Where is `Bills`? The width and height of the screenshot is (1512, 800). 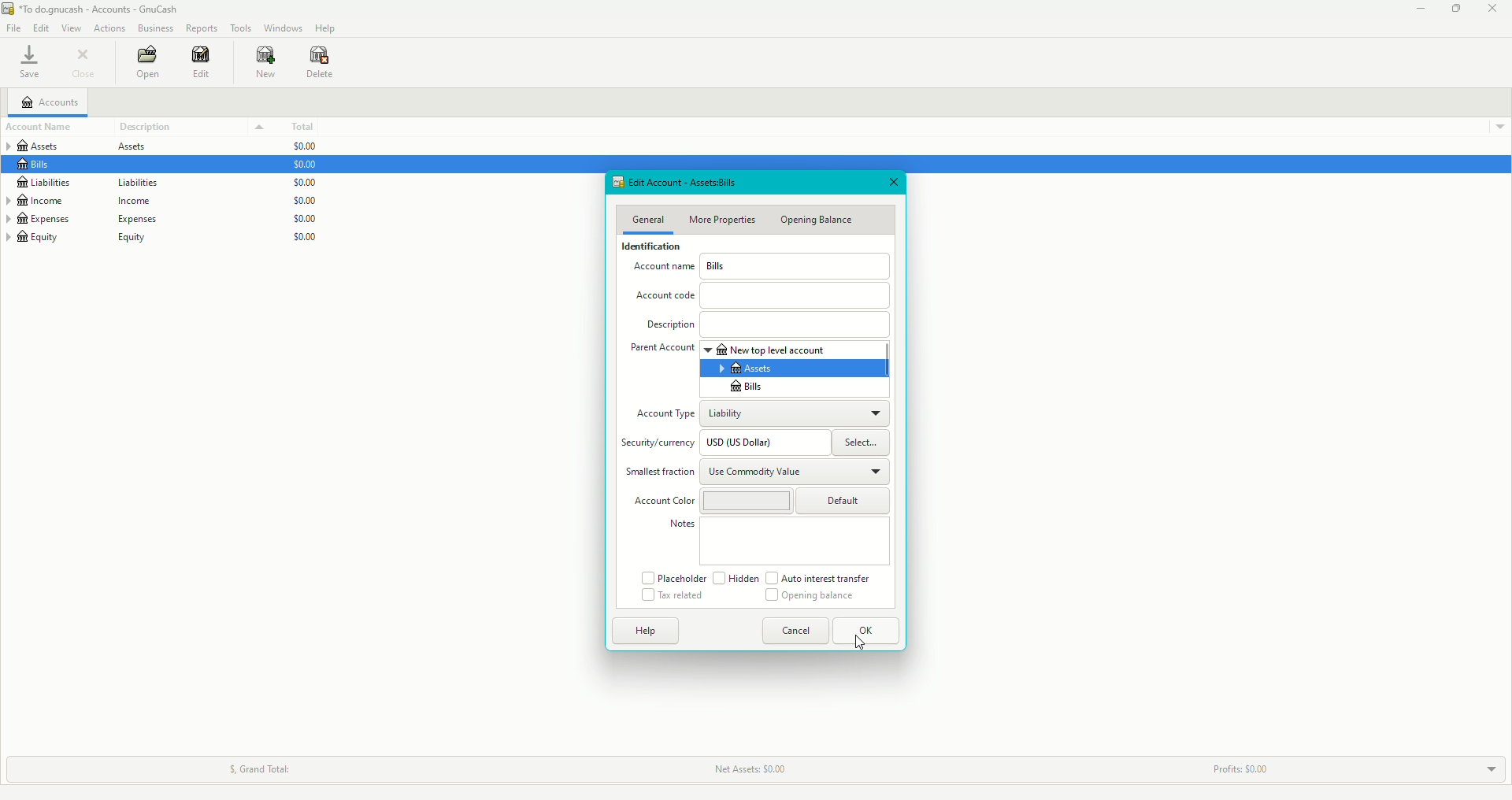 Bills is located at coordinates (743, 387).